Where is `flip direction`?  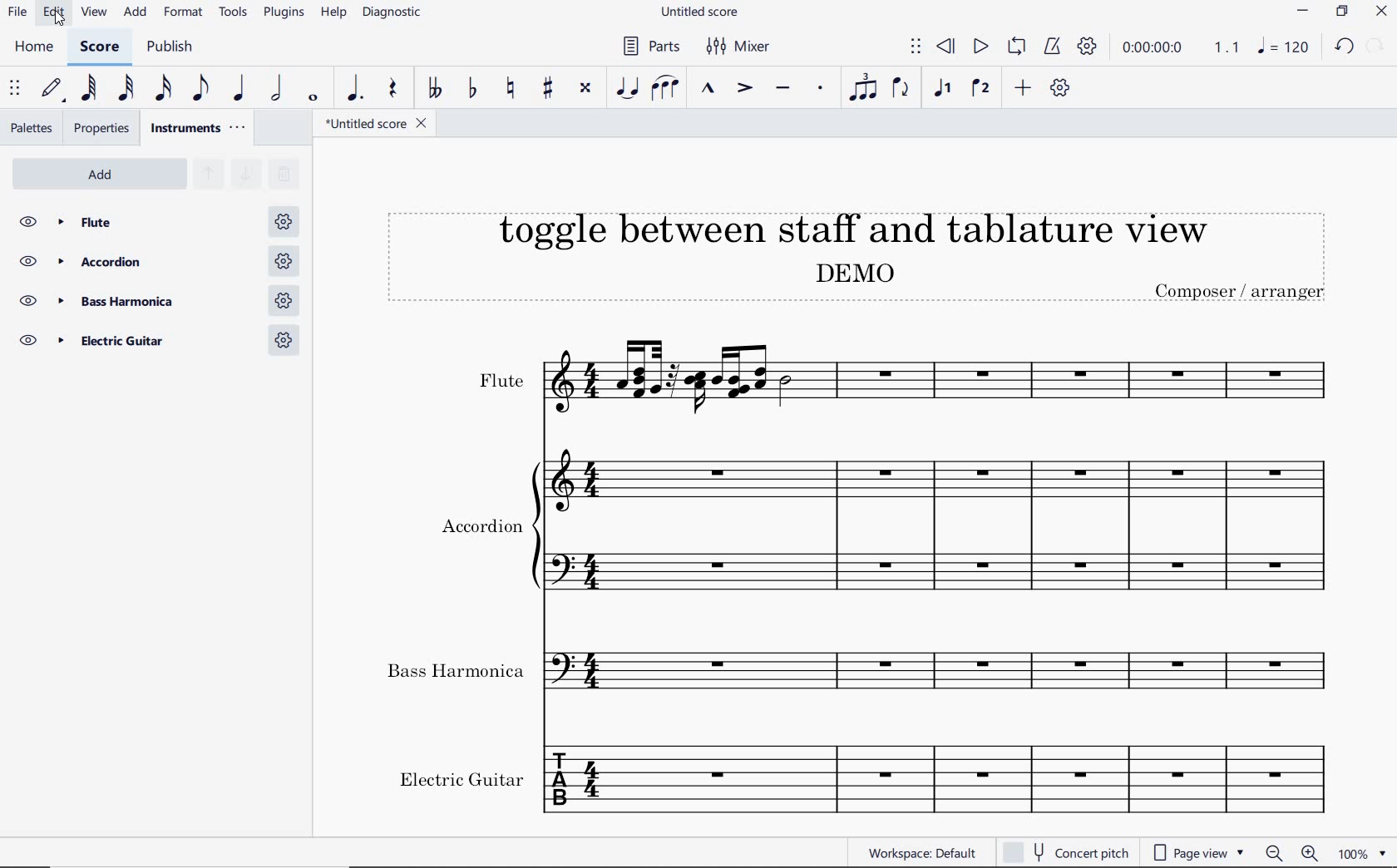
flip direction is located at coordinates (905, 91).